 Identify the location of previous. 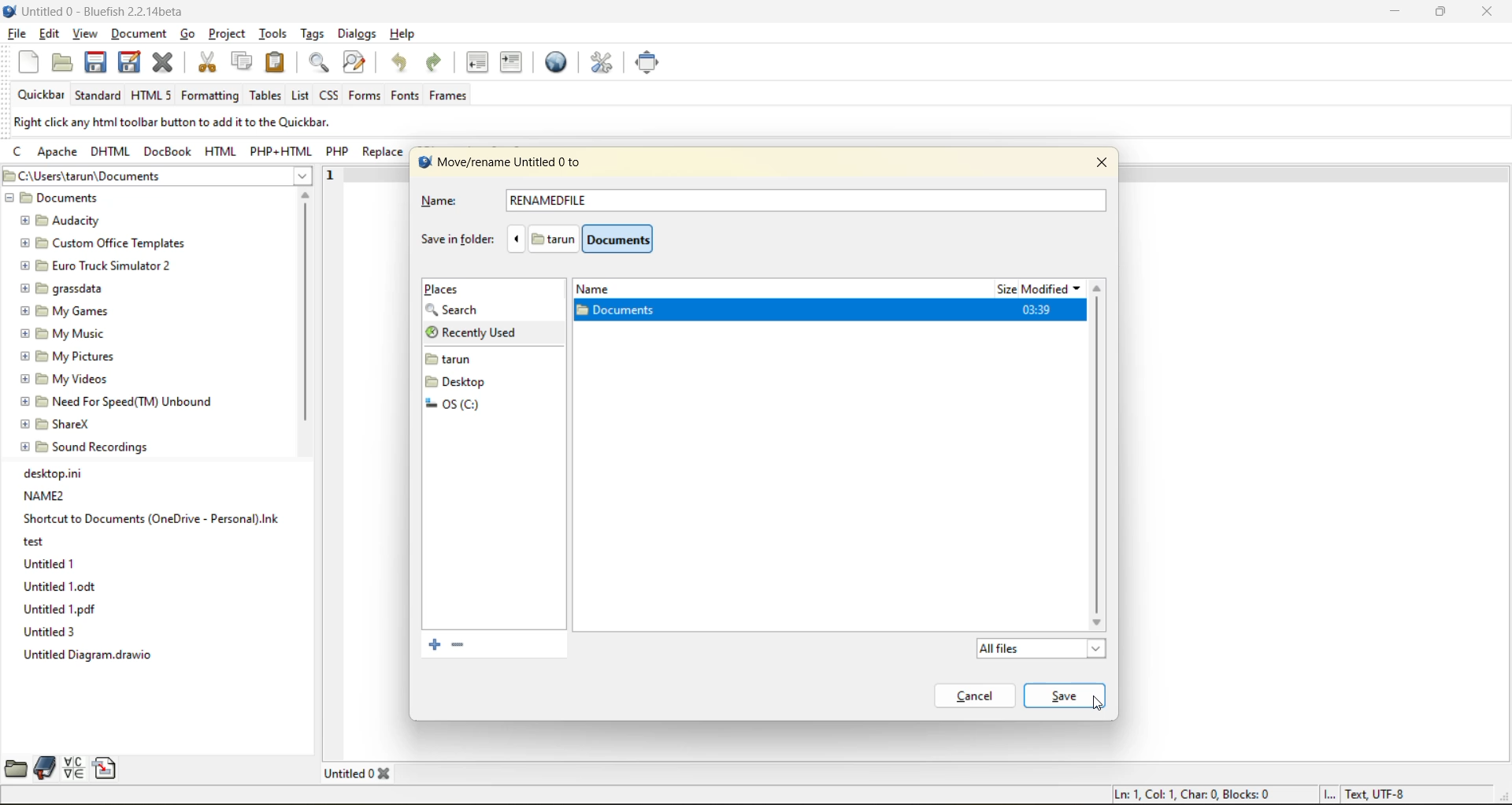
(513, 239).